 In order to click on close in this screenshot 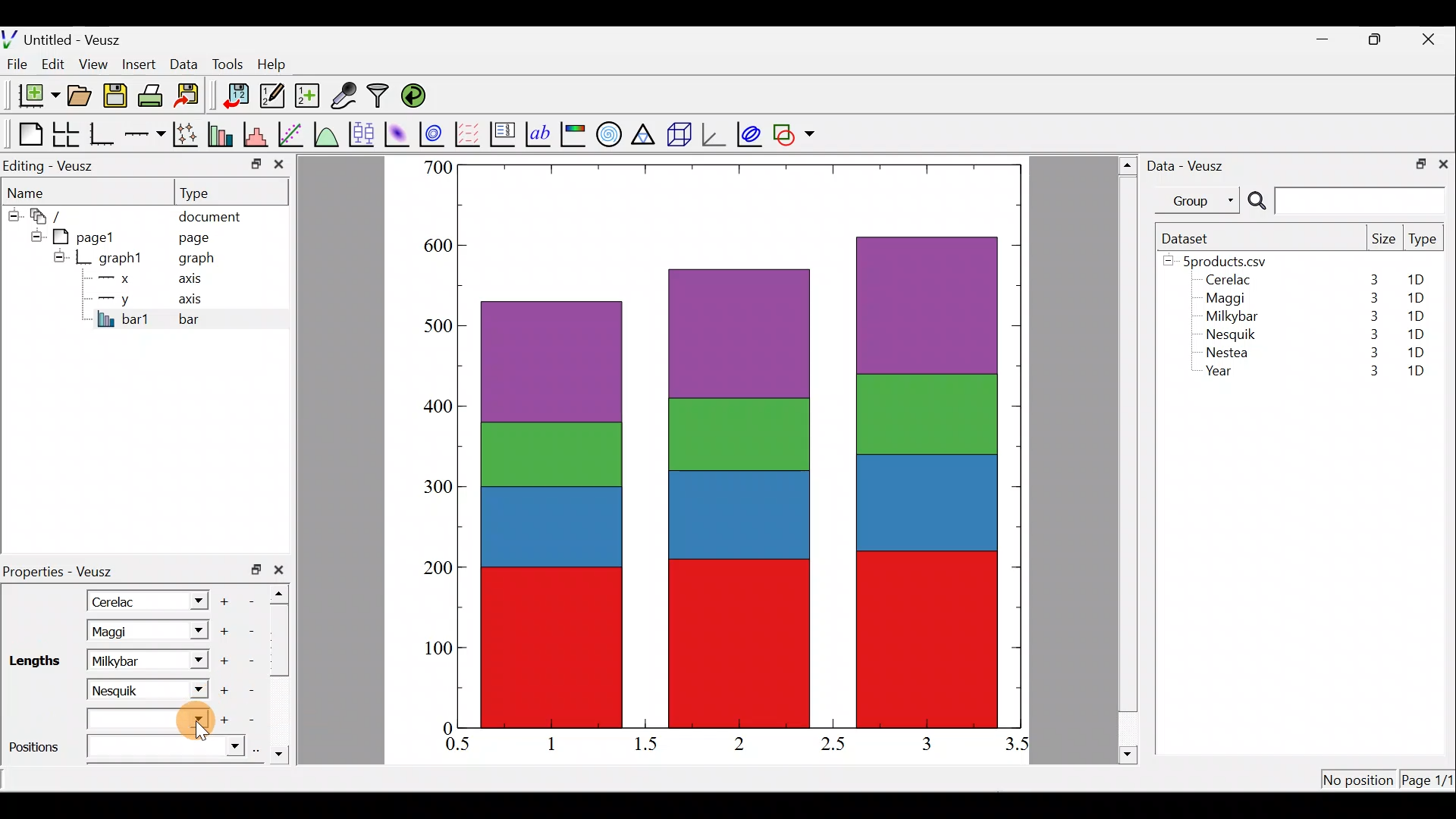, I will do `click(1430, 39)`.